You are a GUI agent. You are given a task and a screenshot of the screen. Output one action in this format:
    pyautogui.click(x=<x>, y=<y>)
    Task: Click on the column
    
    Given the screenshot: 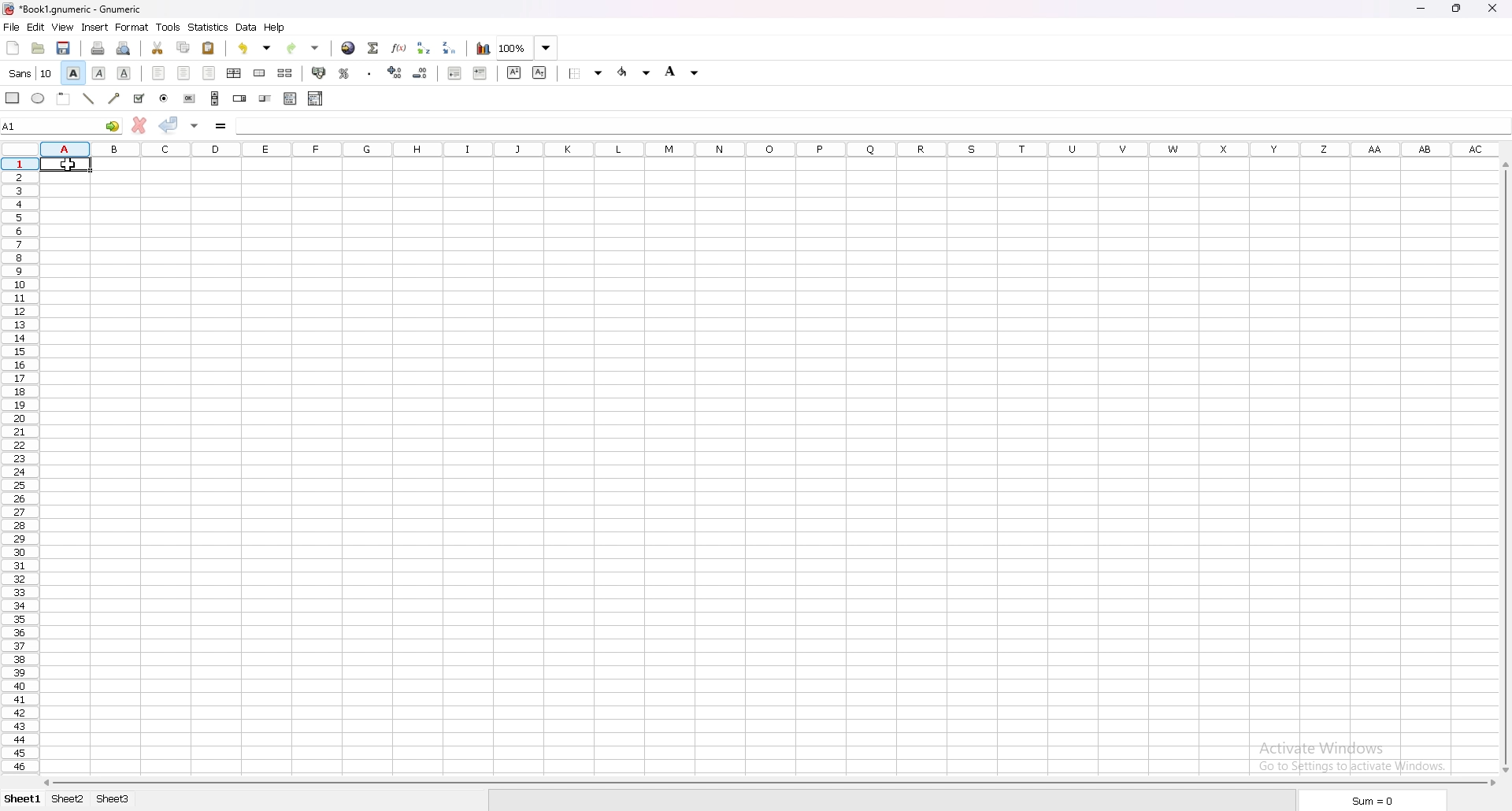 What is the action you would take?
    pyautogui.click(x=772, y=148)
    